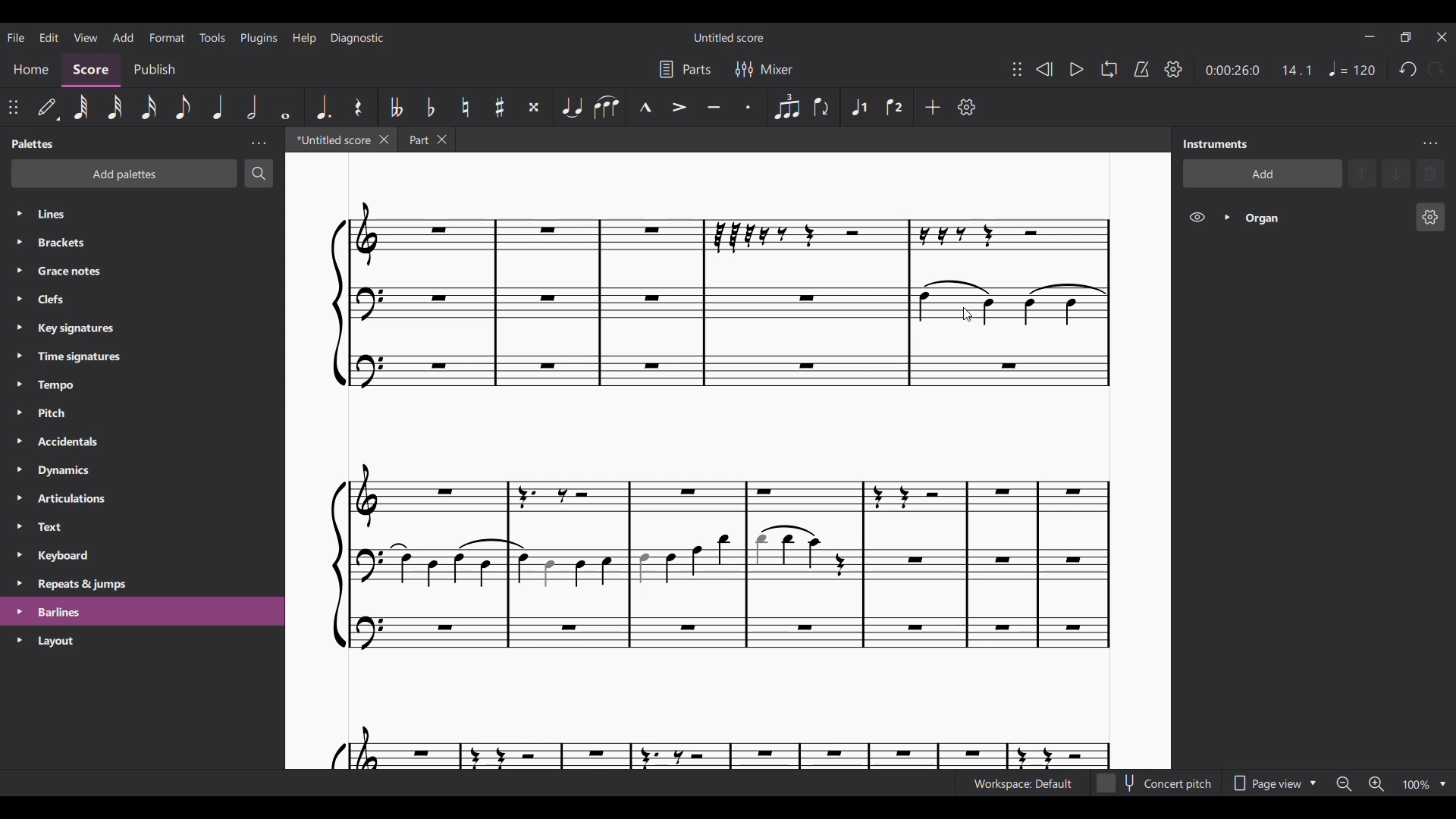 Image resolution: width=1456 pixels, height=819 pixels. I want to click on 16th note, so click(148, 108).